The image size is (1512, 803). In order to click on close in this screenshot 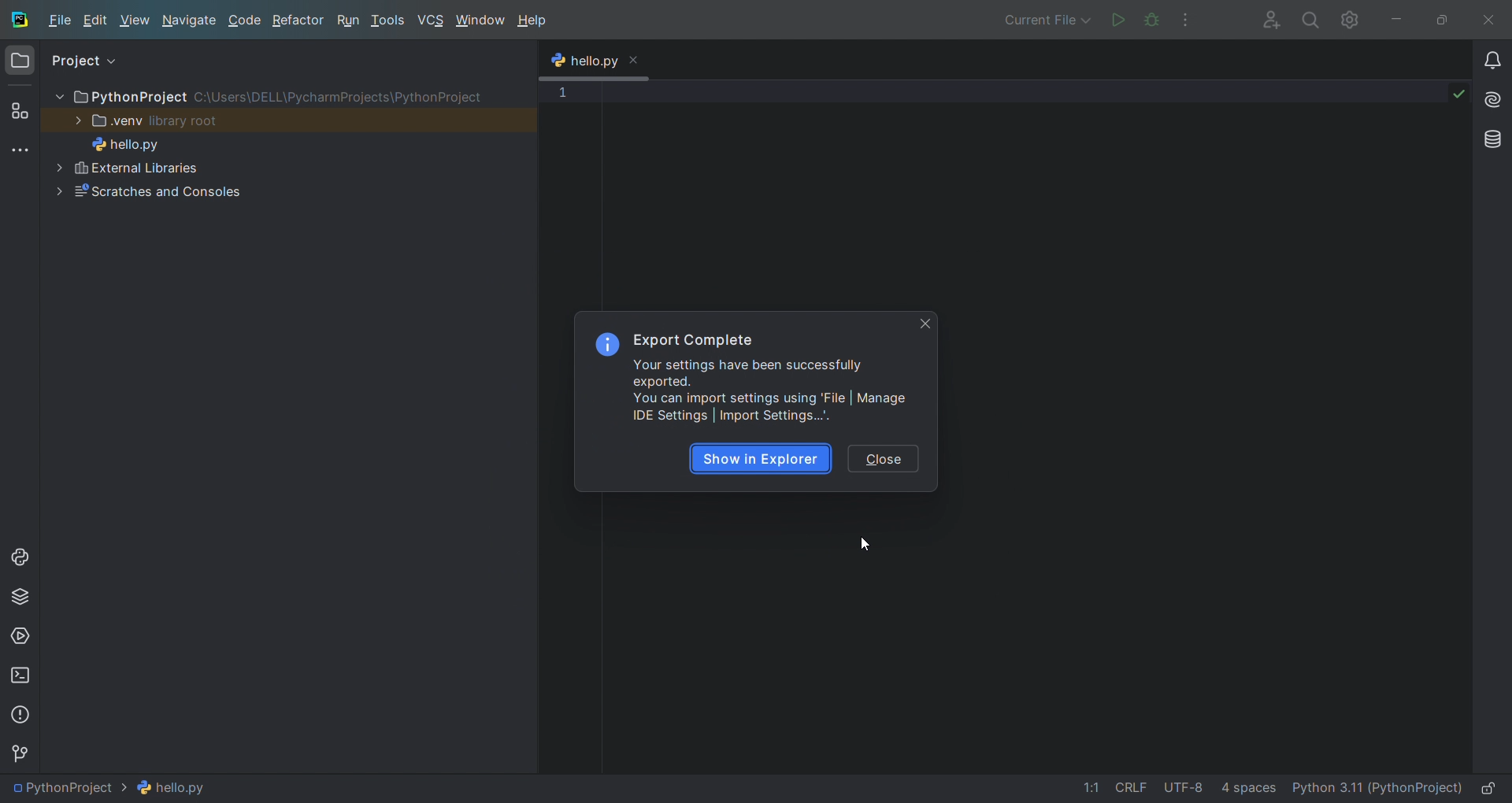, I will do `click(927, 324)`.